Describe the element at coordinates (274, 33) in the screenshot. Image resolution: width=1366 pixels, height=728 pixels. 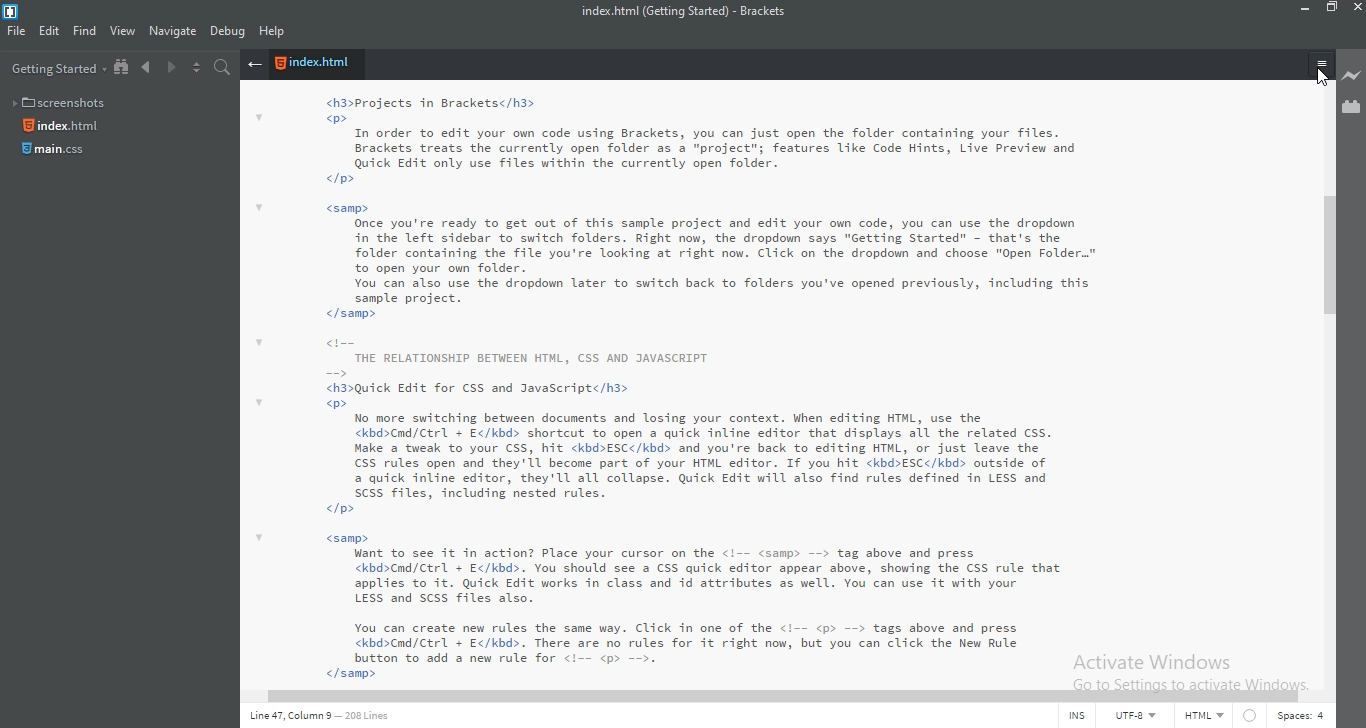
I see `Help` at that location.